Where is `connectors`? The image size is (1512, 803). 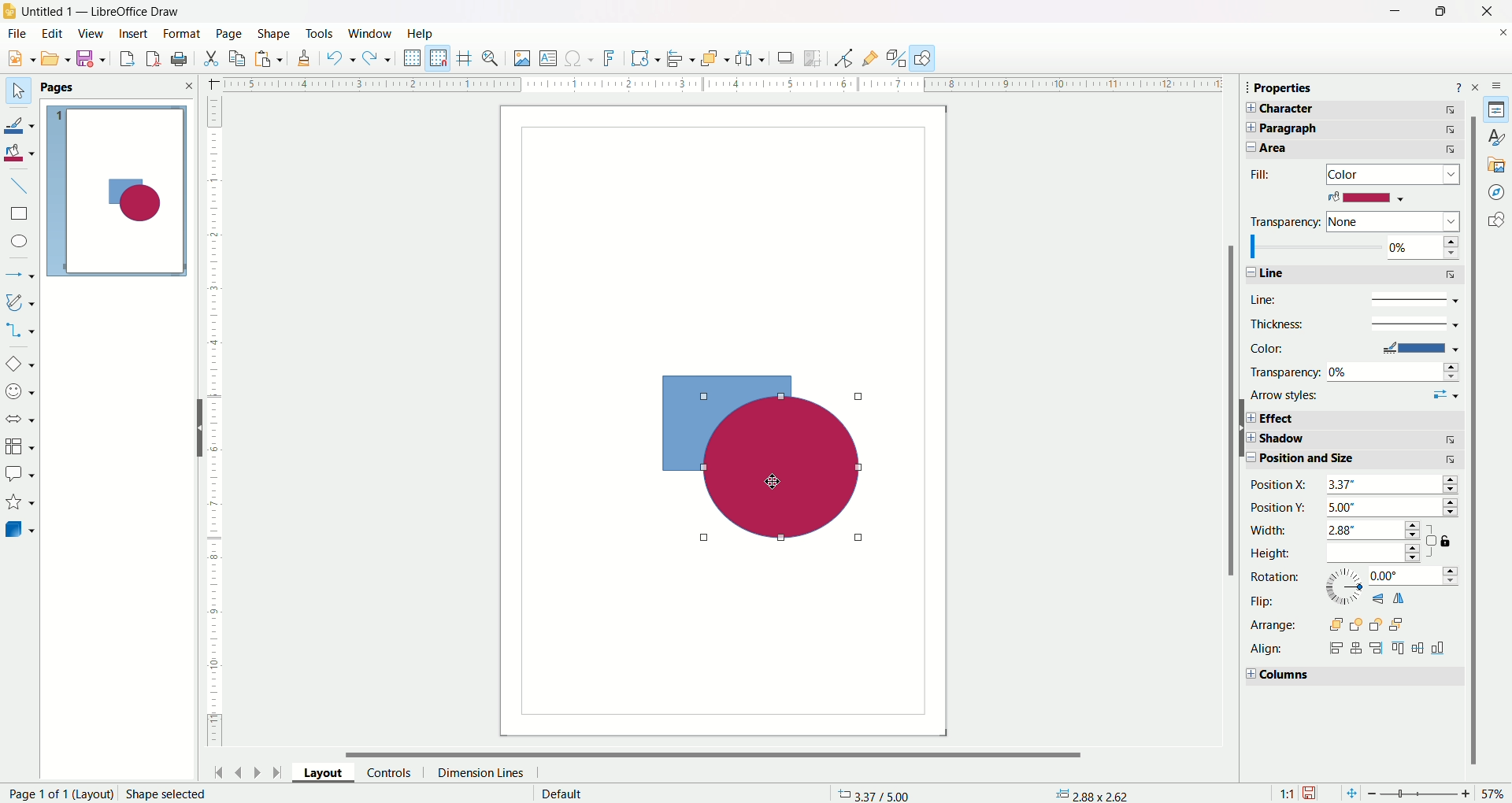 connectors is located at coordinates (21, 330).